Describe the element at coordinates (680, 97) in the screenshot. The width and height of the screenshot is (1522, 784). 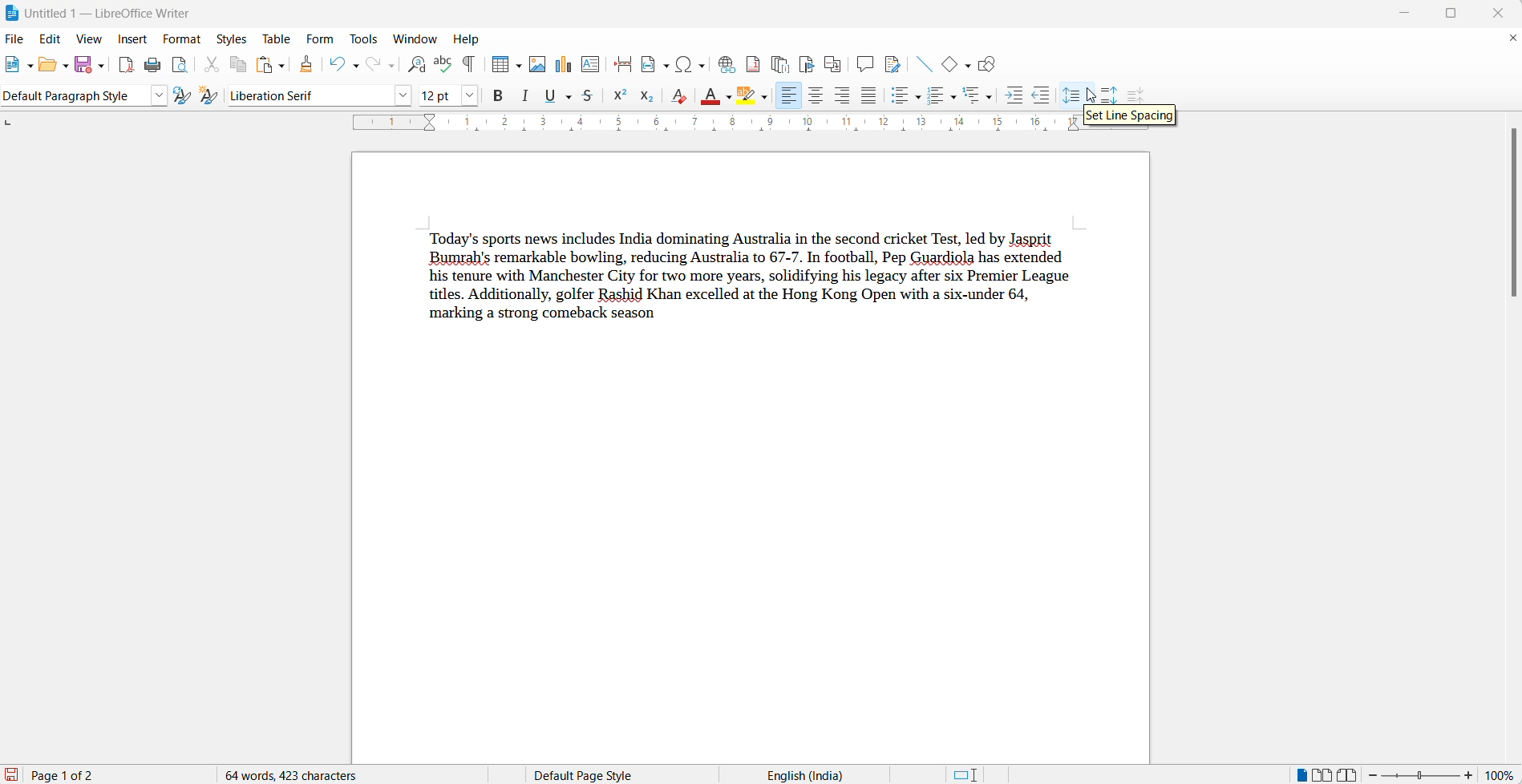
I see `clear direct formatting` at that location.